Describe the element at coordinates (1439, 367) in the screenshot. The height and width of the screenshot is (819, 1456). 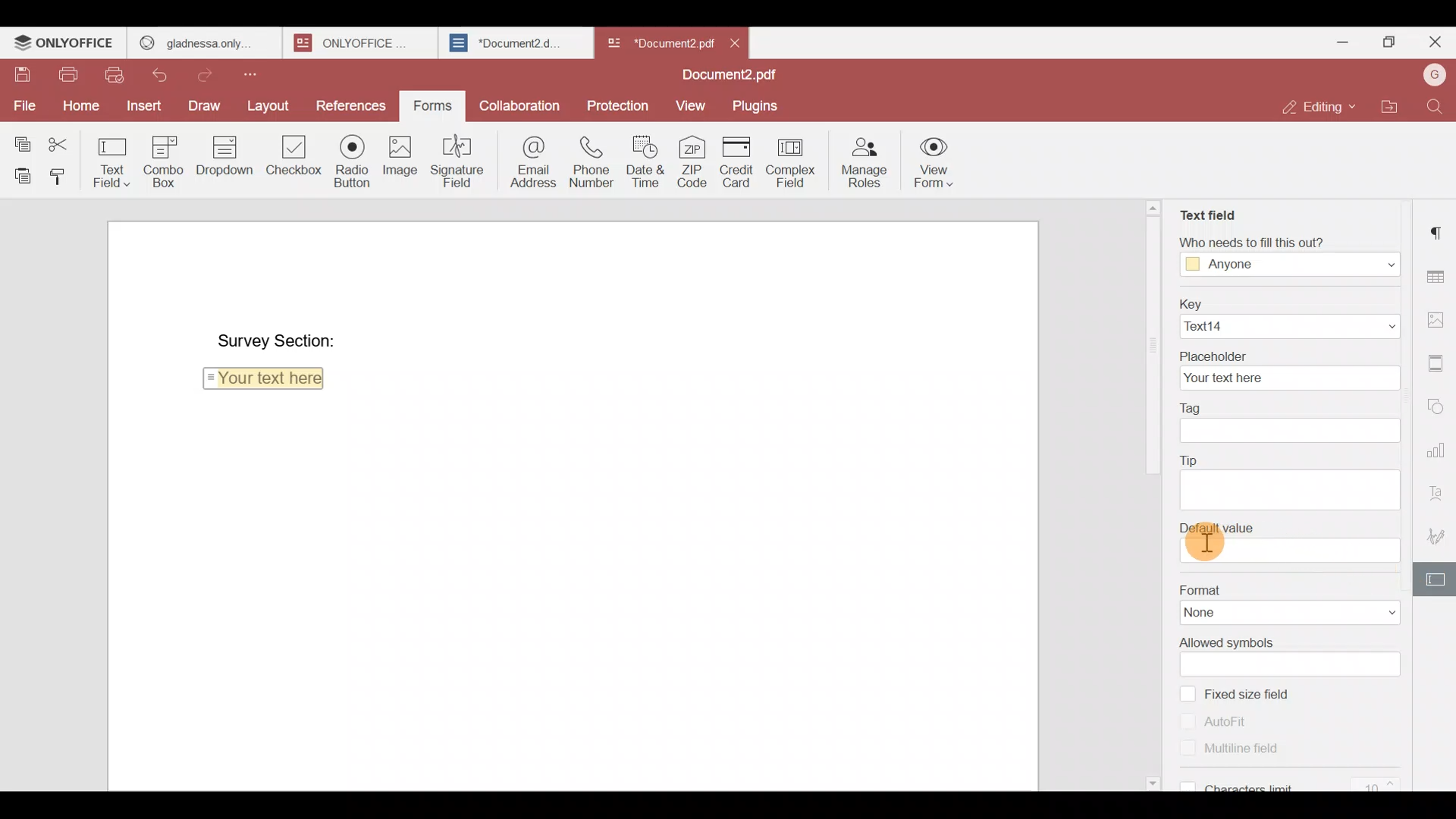
I see `Header & footer settings` at that location.